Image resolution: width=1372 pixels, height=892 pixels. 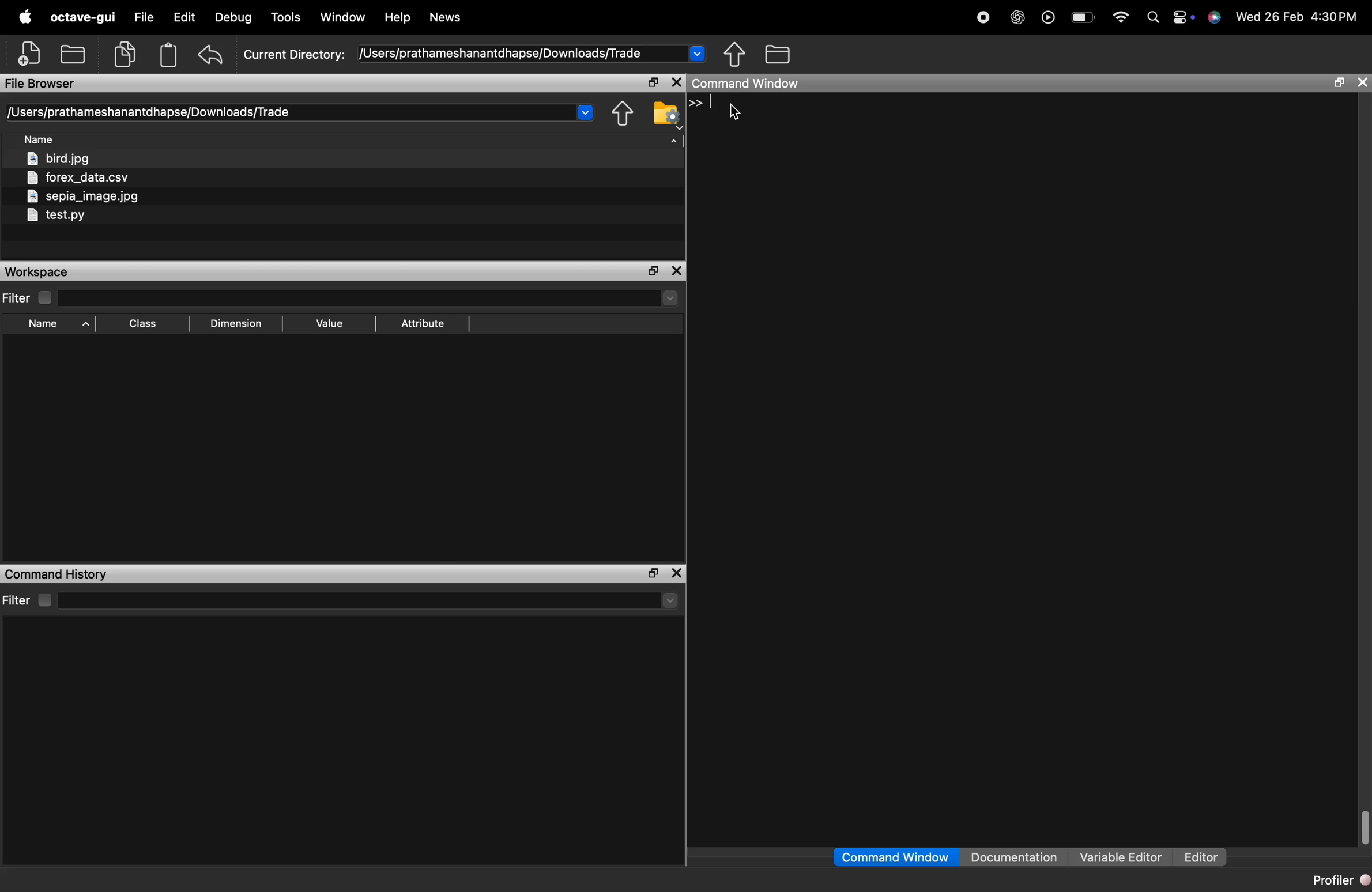 I want to click on add folder, so click(x=72, y=53).